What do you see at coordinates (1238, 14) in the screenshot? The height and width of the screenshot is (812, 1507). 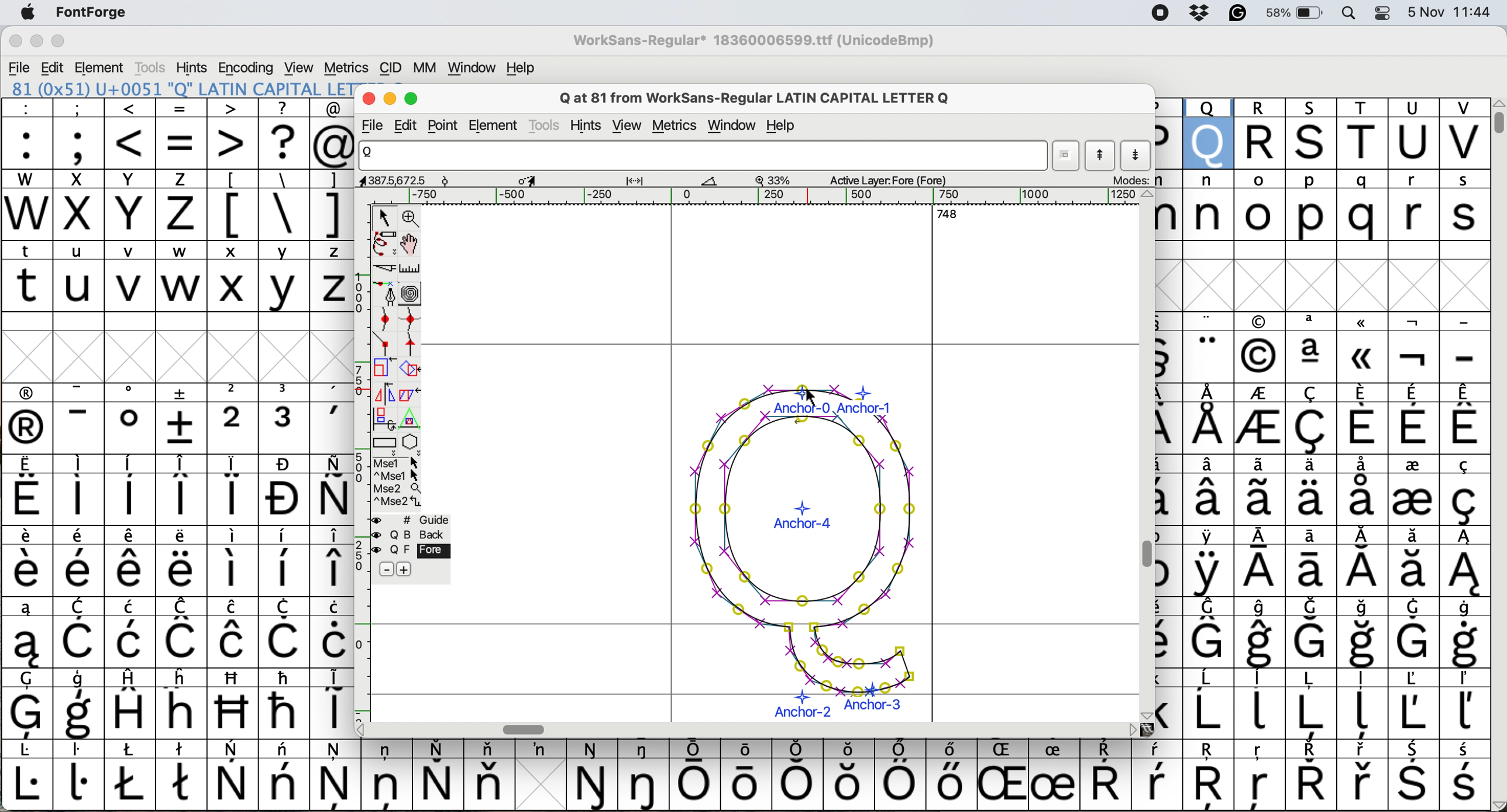 I see `grammarly` at bounding box center [1238, 14].